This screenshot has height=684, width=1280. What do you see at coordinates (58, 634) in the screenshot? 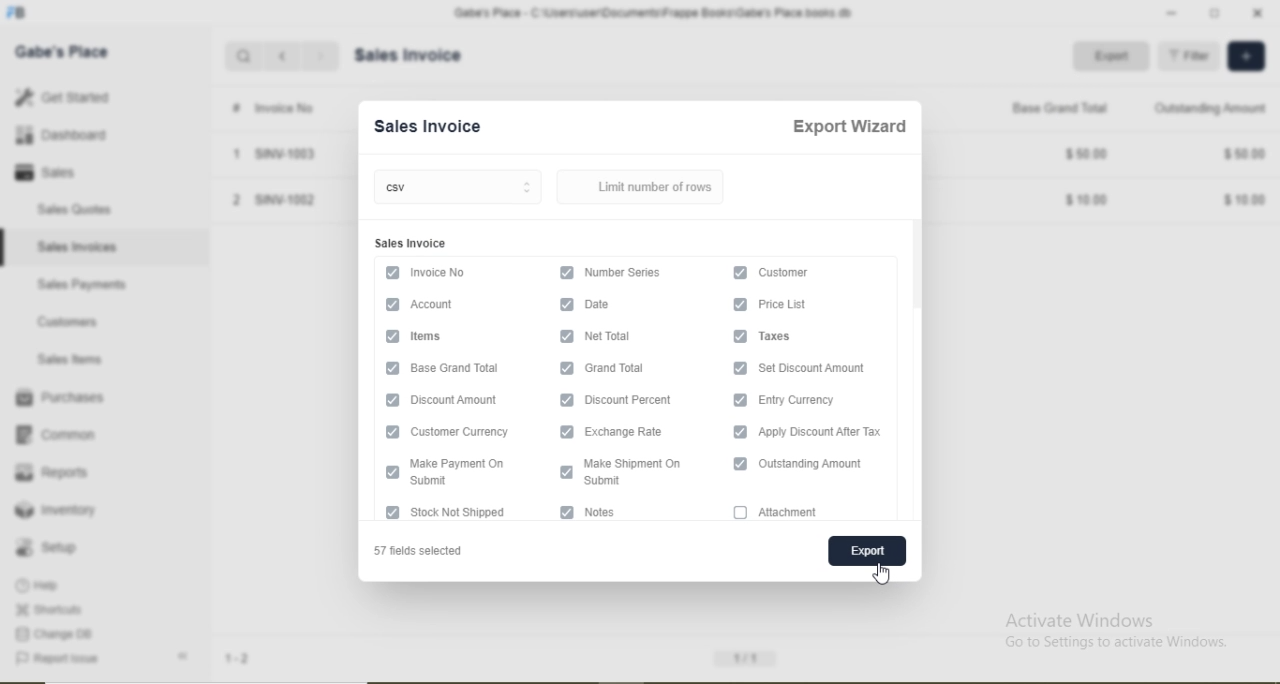
I see `Change DB` at bounding box center [58, 634].